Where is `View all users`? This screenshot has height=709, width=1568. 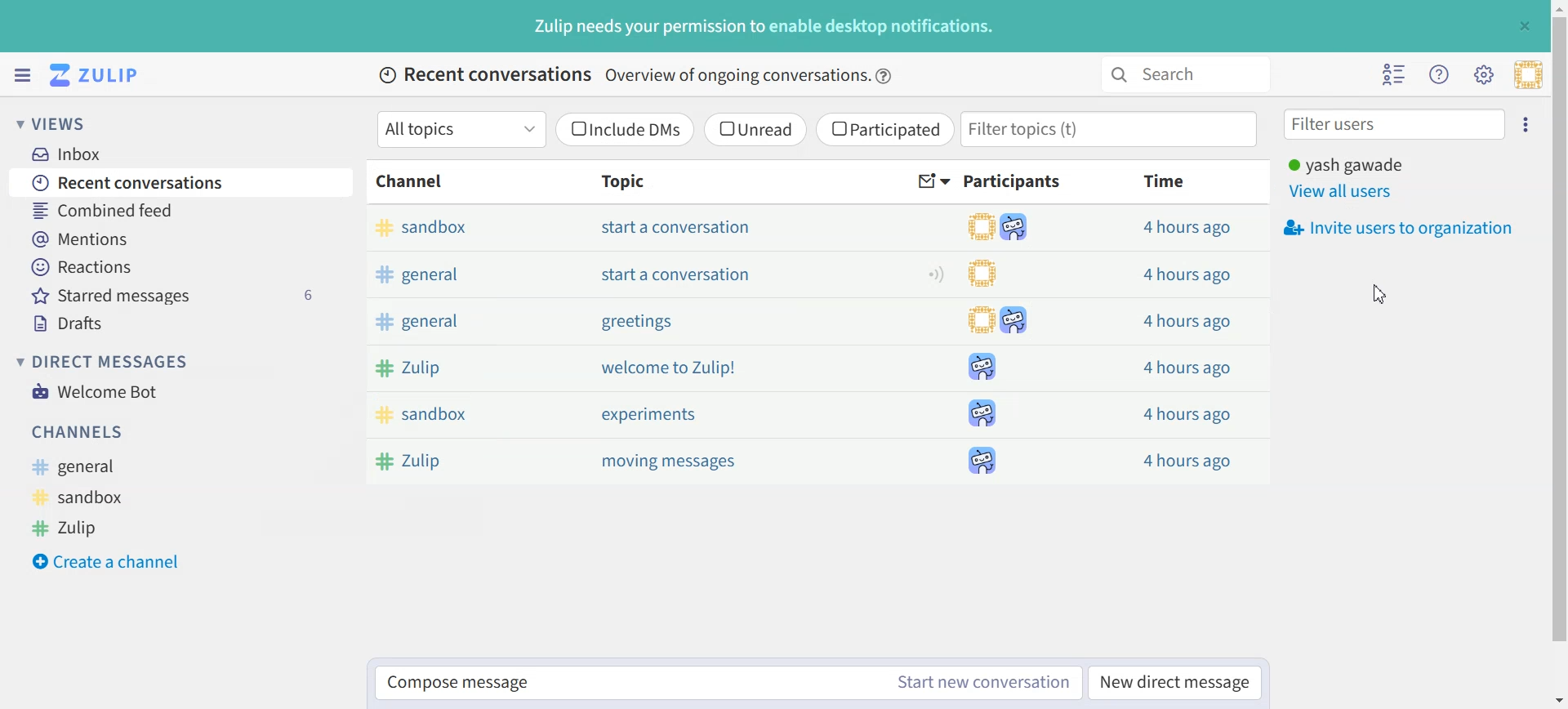 View all users is located at coordinates (1343, 192).